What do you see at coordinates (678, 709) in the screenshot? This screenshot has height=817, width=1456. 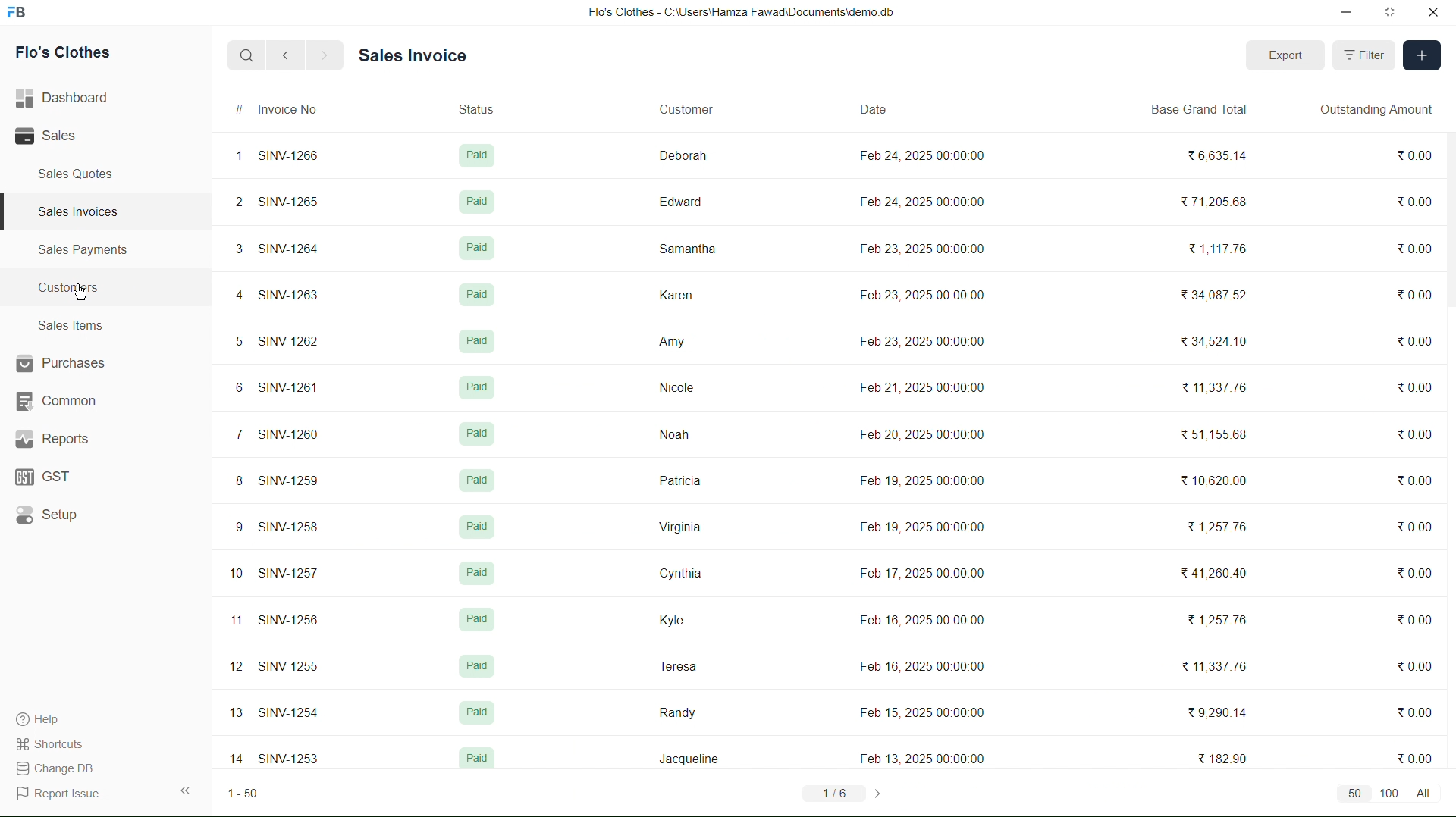 I see `Randy` at bounding box center [678, 709].